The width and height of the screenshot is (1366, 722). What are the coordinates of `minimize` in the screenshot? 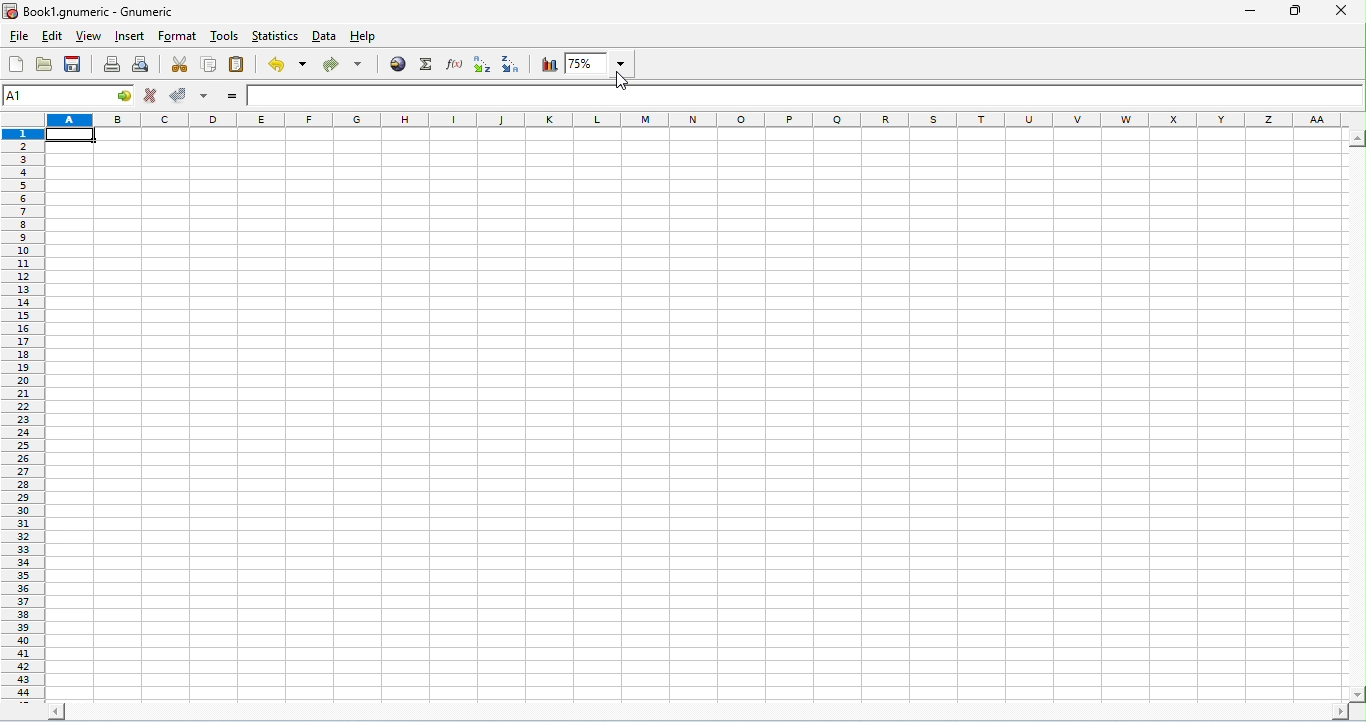 It's located at (1250, 12).